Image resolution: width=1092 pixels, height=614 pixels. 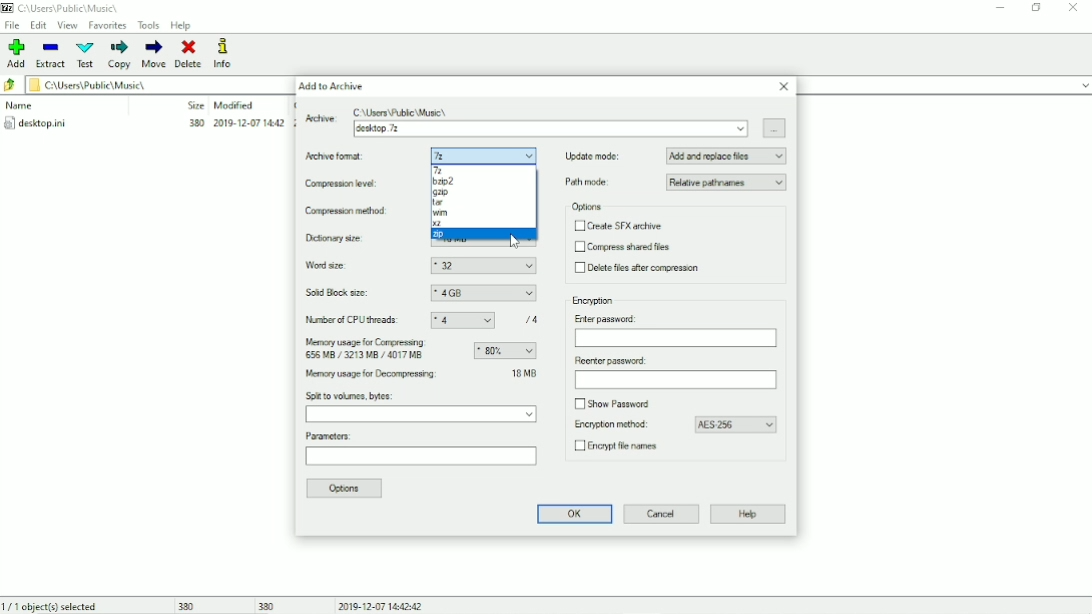 I want to click on Create SFX archive, so click(x=618, y=226).